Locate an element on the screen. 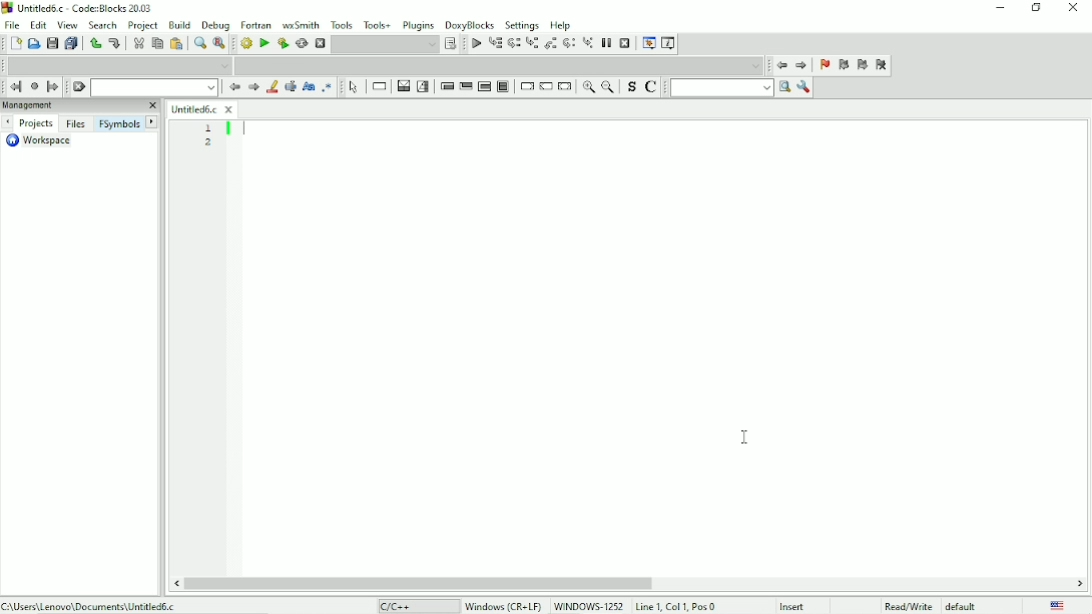 The width and height of the screenshot is (1092, 614). Instruction is located at coordinates (379, 87).